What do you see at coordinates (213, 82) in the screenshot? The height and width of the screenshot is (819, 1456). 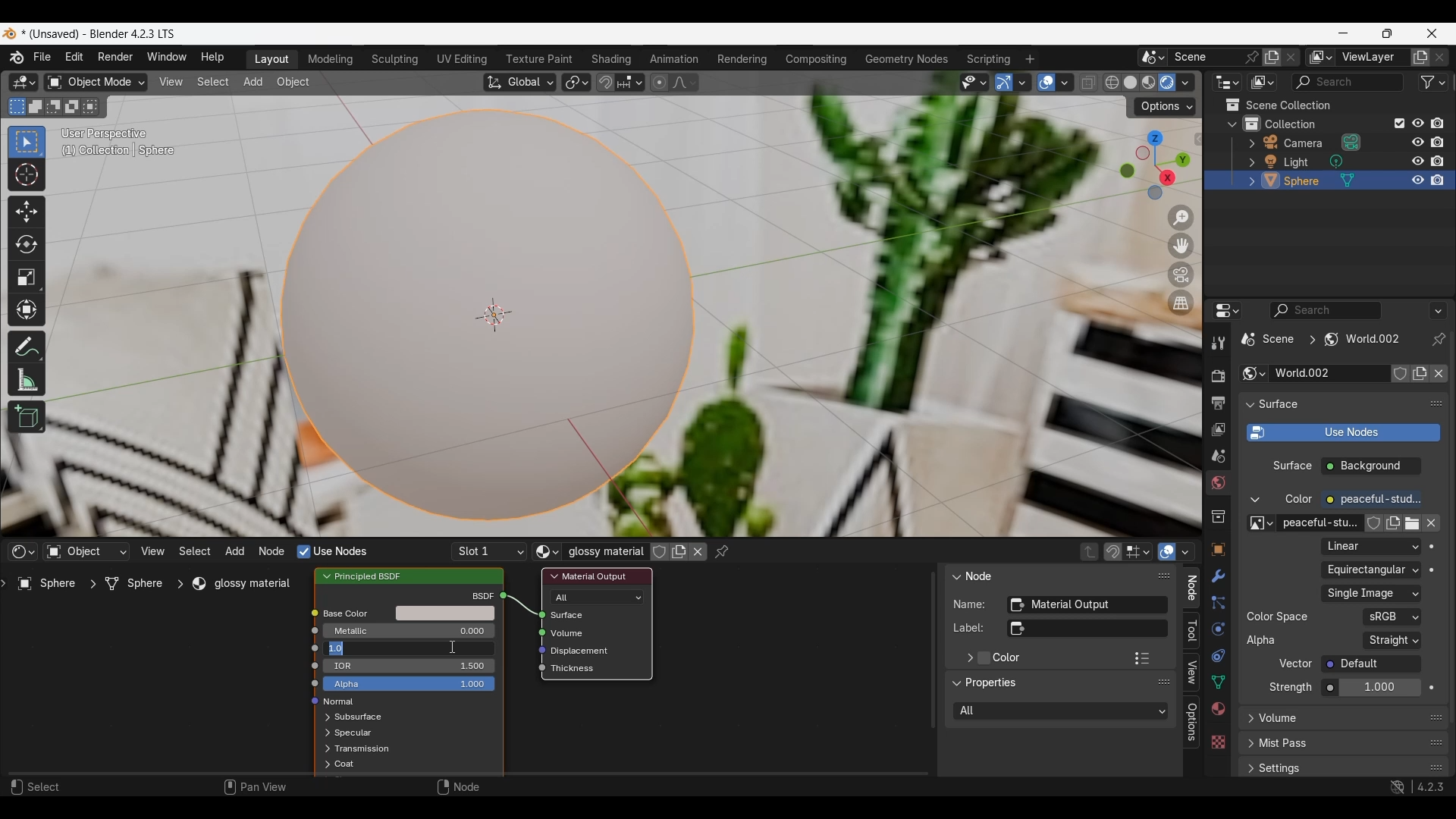 I see `Select menu` at bounding box center [213, 82].